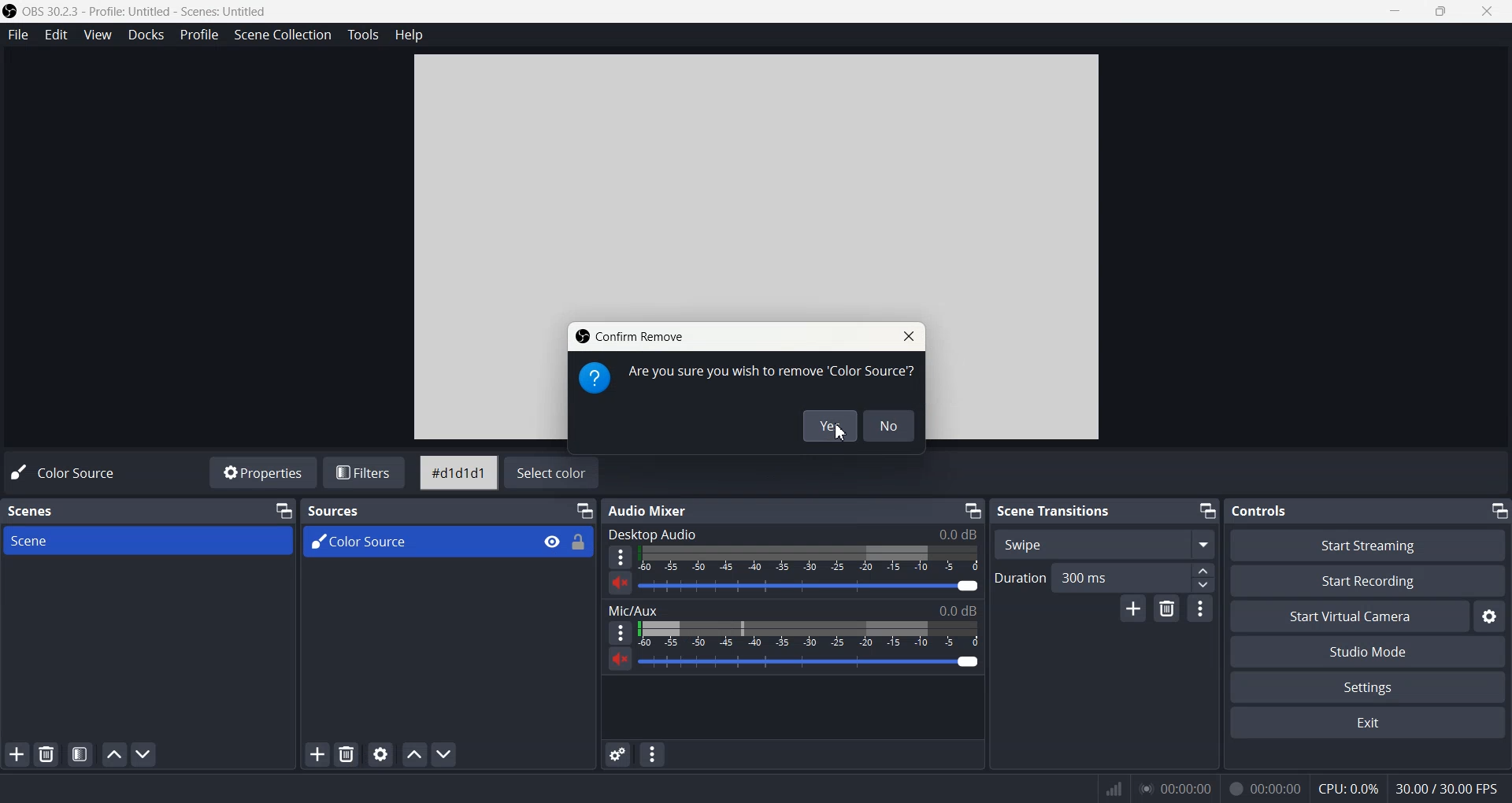 This screenshot has height=803, width=1512. I want to click on File, so click(17, 35).